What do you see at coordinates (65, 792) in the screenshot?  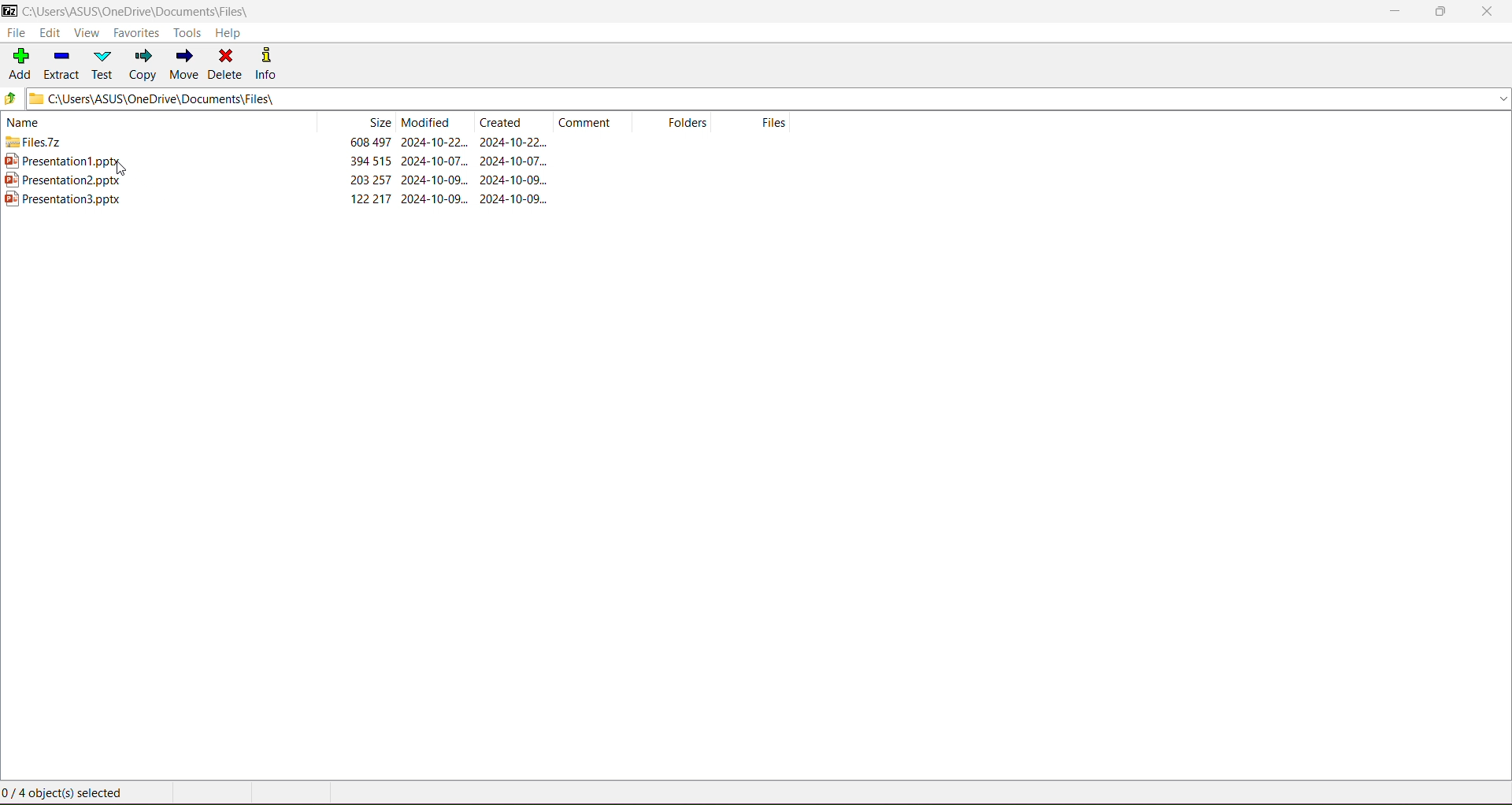 I see `0/4 object(s) selected` at bounding box center [65, 792].